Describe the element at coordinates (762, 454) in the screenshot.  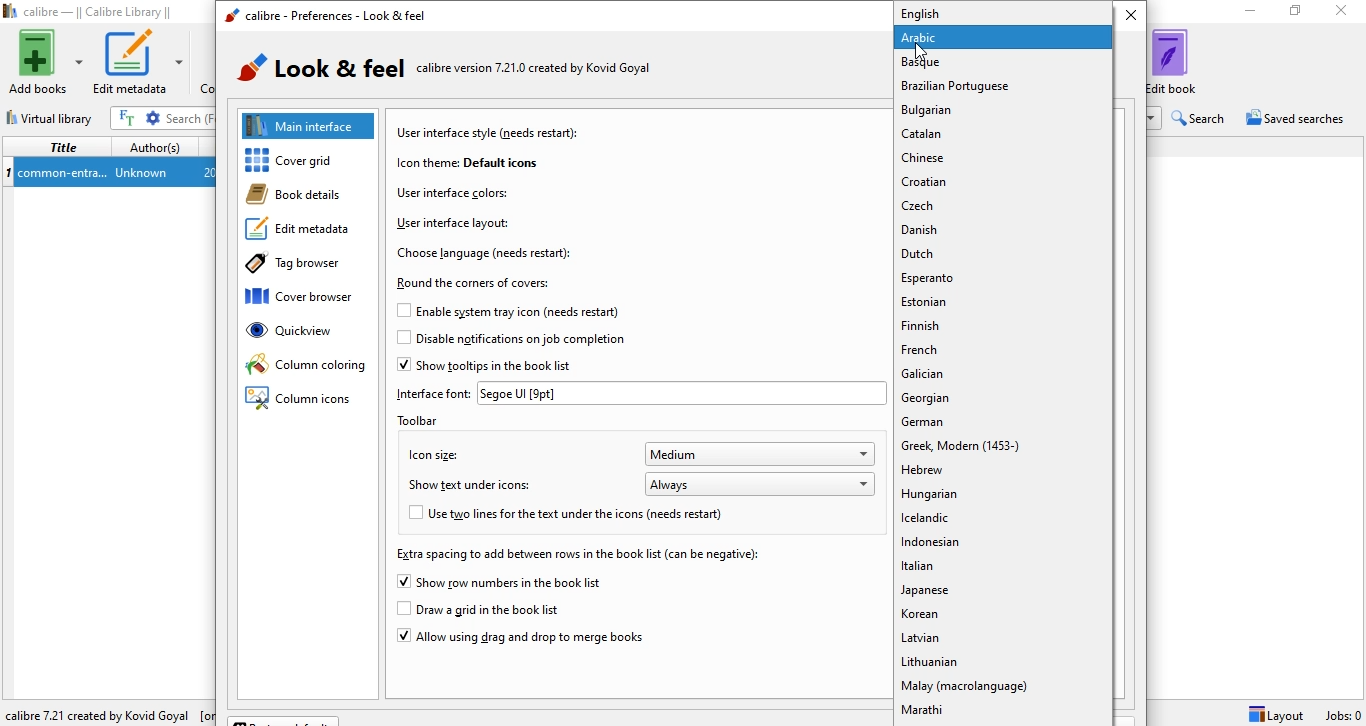
I see `medium` at that location.